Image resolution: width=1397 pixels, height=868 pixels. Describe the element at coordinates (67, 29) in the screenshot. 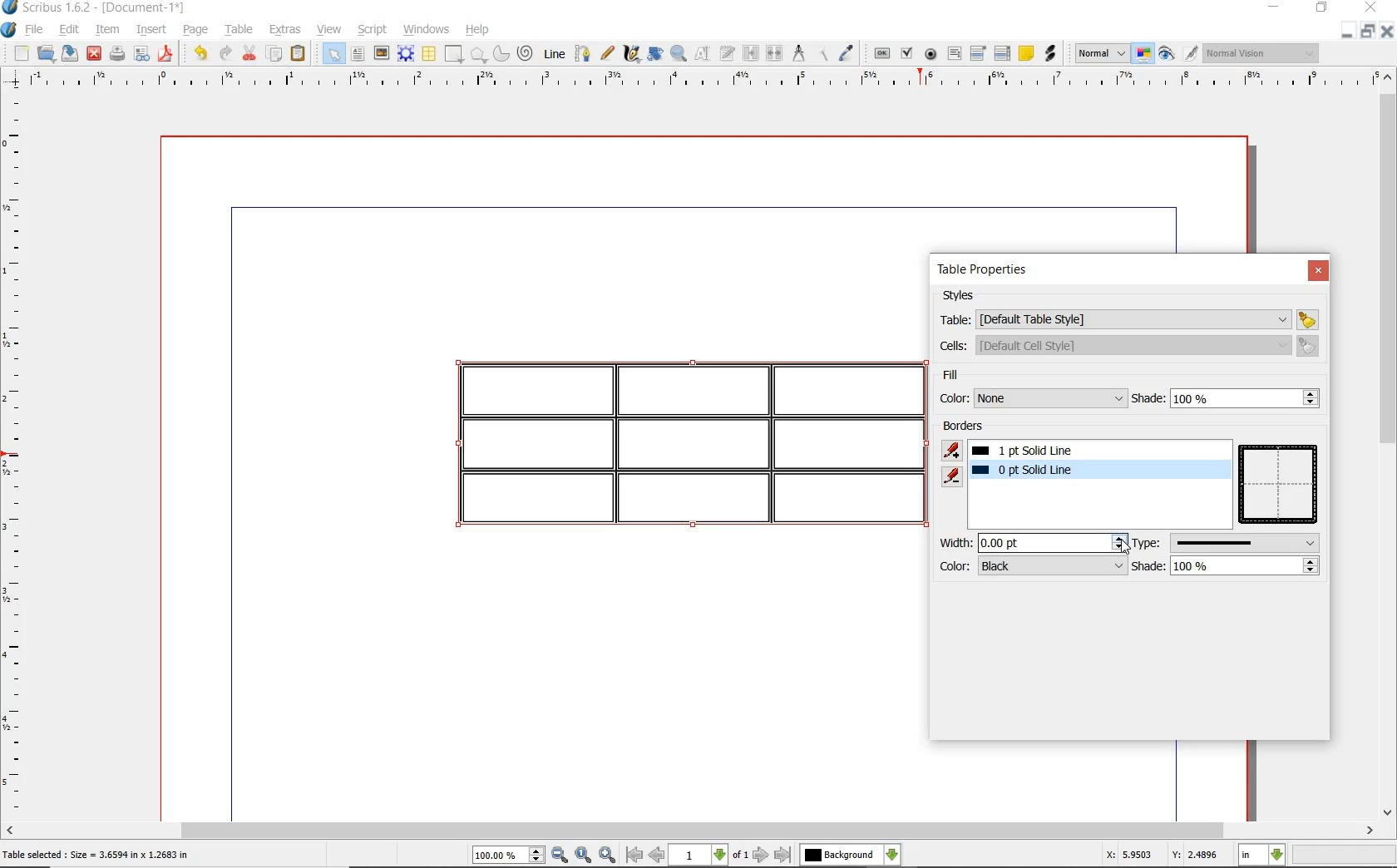

I see `edit` at that location.